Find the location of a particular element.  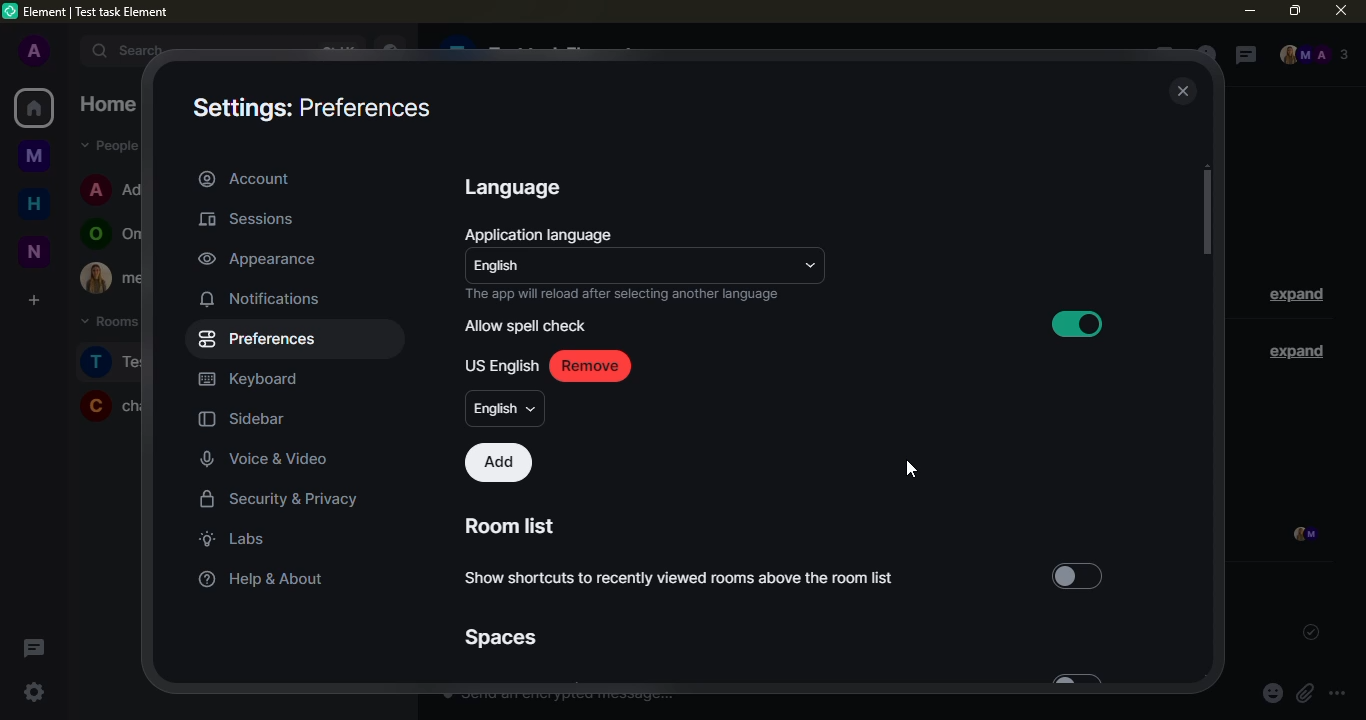

add is located at coordinates (501, 462).